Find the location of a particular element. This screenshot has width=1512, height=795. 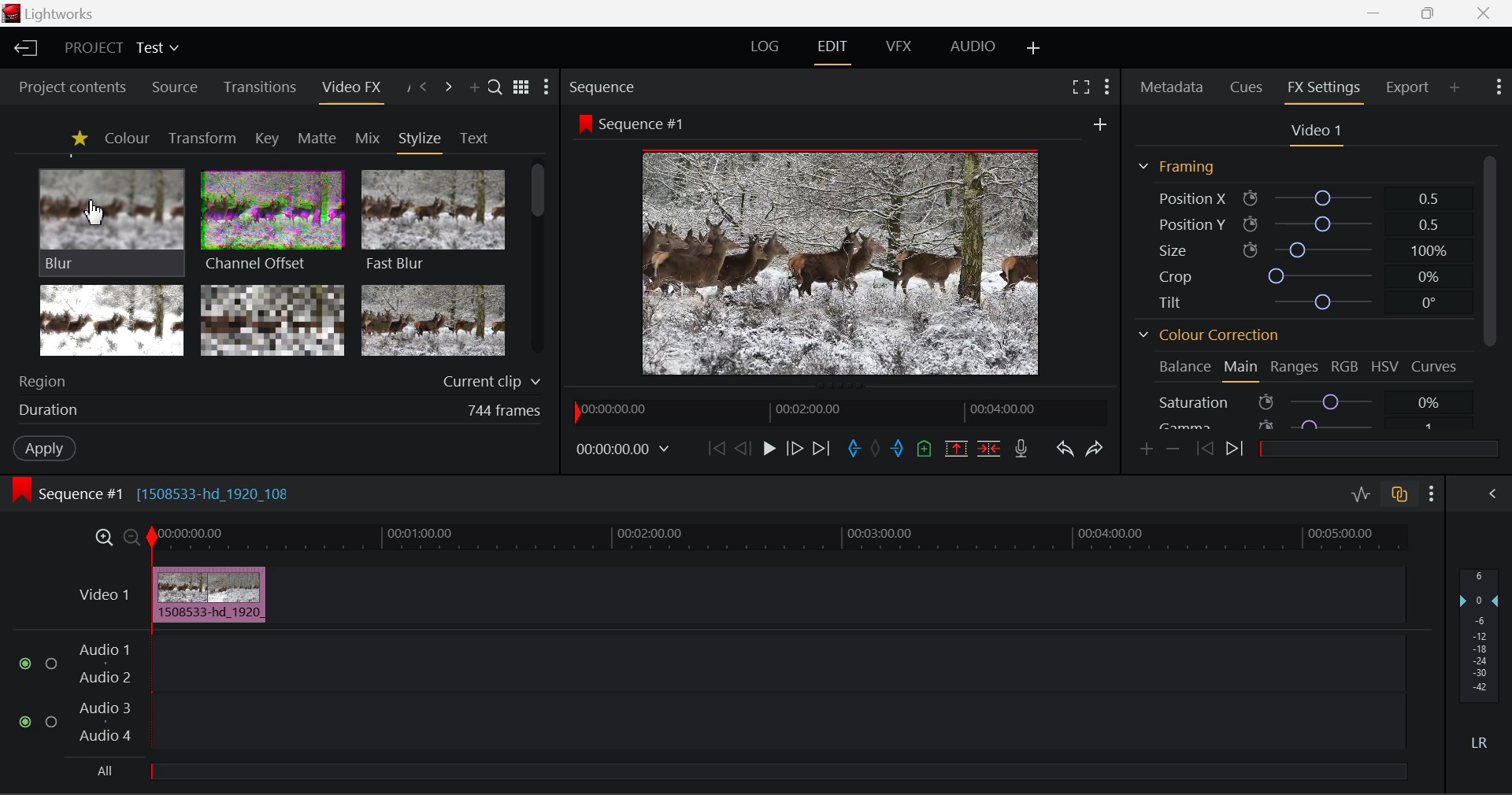

Ranges is located at coordinates (1295, 368).